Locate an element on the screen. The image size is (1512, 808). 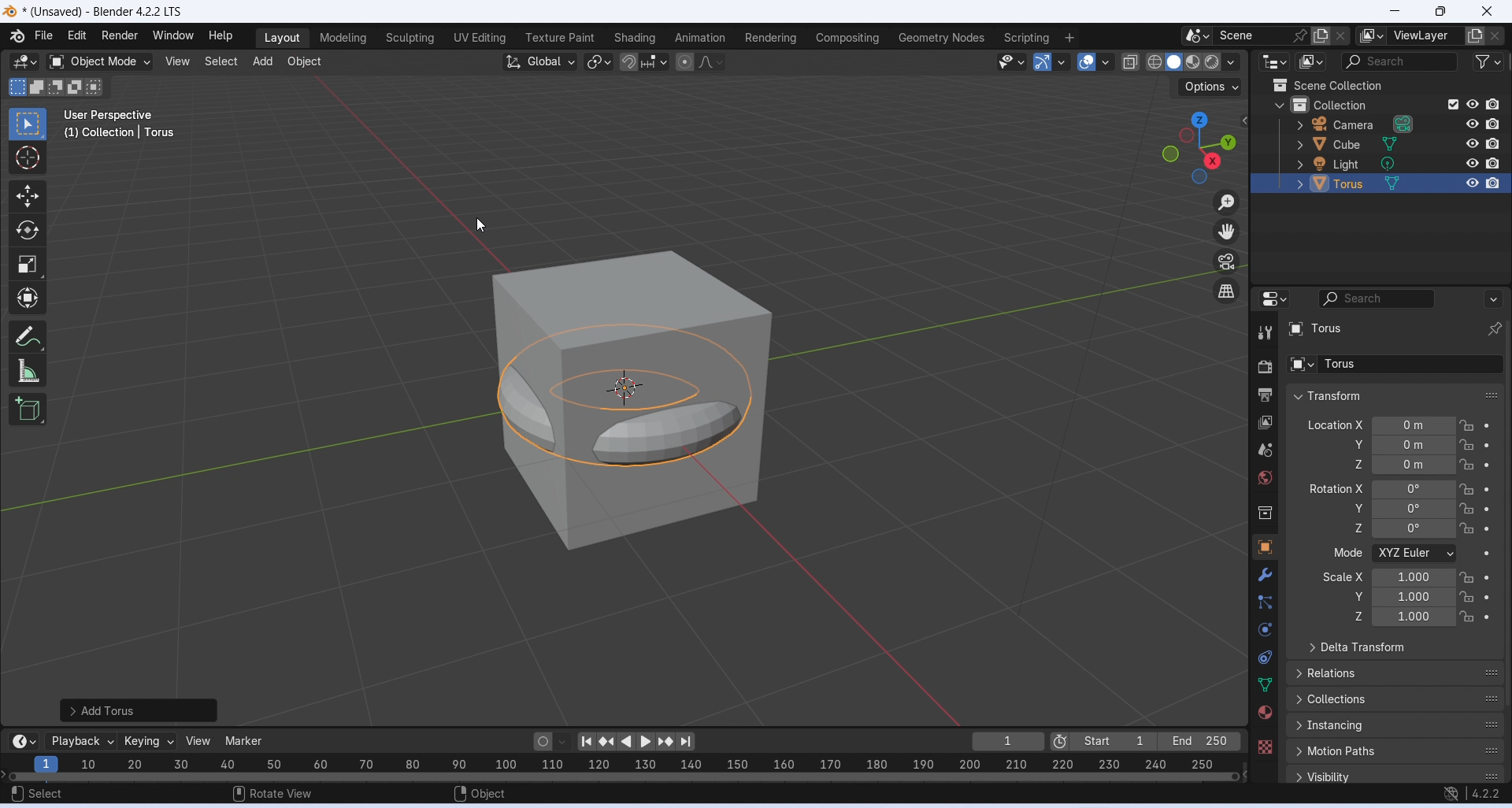
Annotate is located at coordinates (29, 336).